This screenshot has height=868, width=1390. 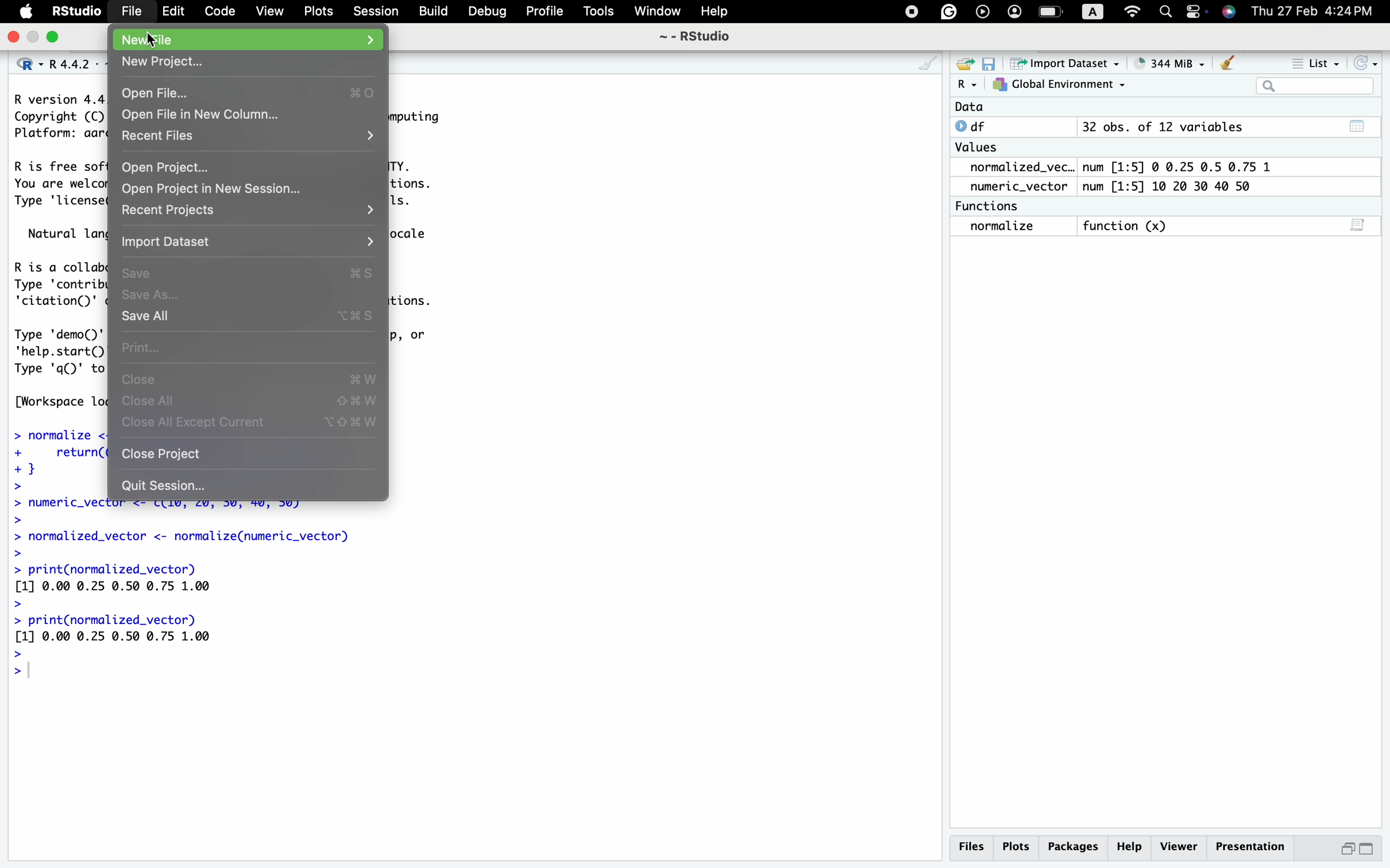 What do you see at coordinates (1192, 13) in the screenshot?
I see `screen mirroring` at bounding box center [1192, 13].